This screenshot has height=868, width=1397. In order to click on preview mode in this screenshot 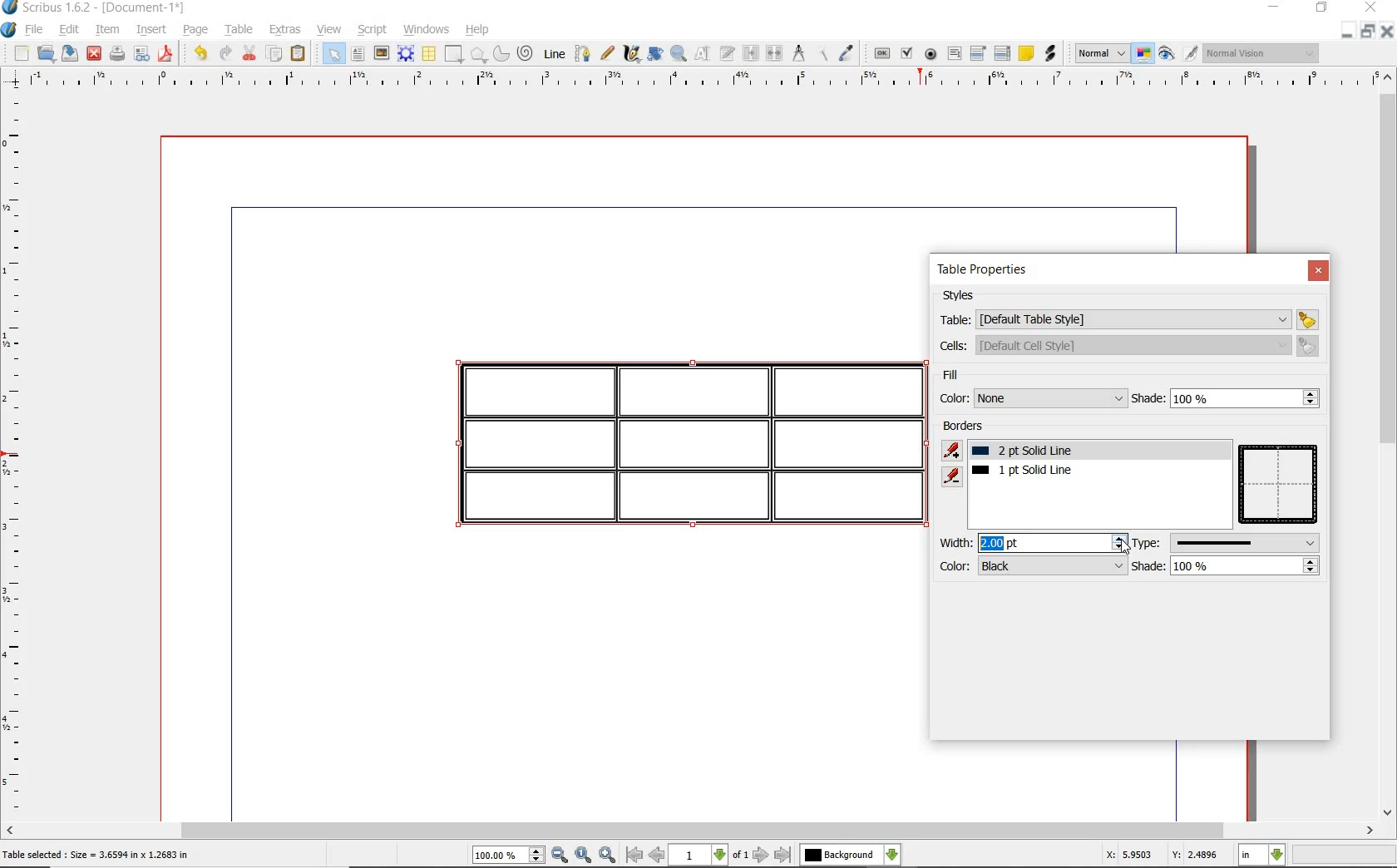, I will do `click(1165, 54)`.